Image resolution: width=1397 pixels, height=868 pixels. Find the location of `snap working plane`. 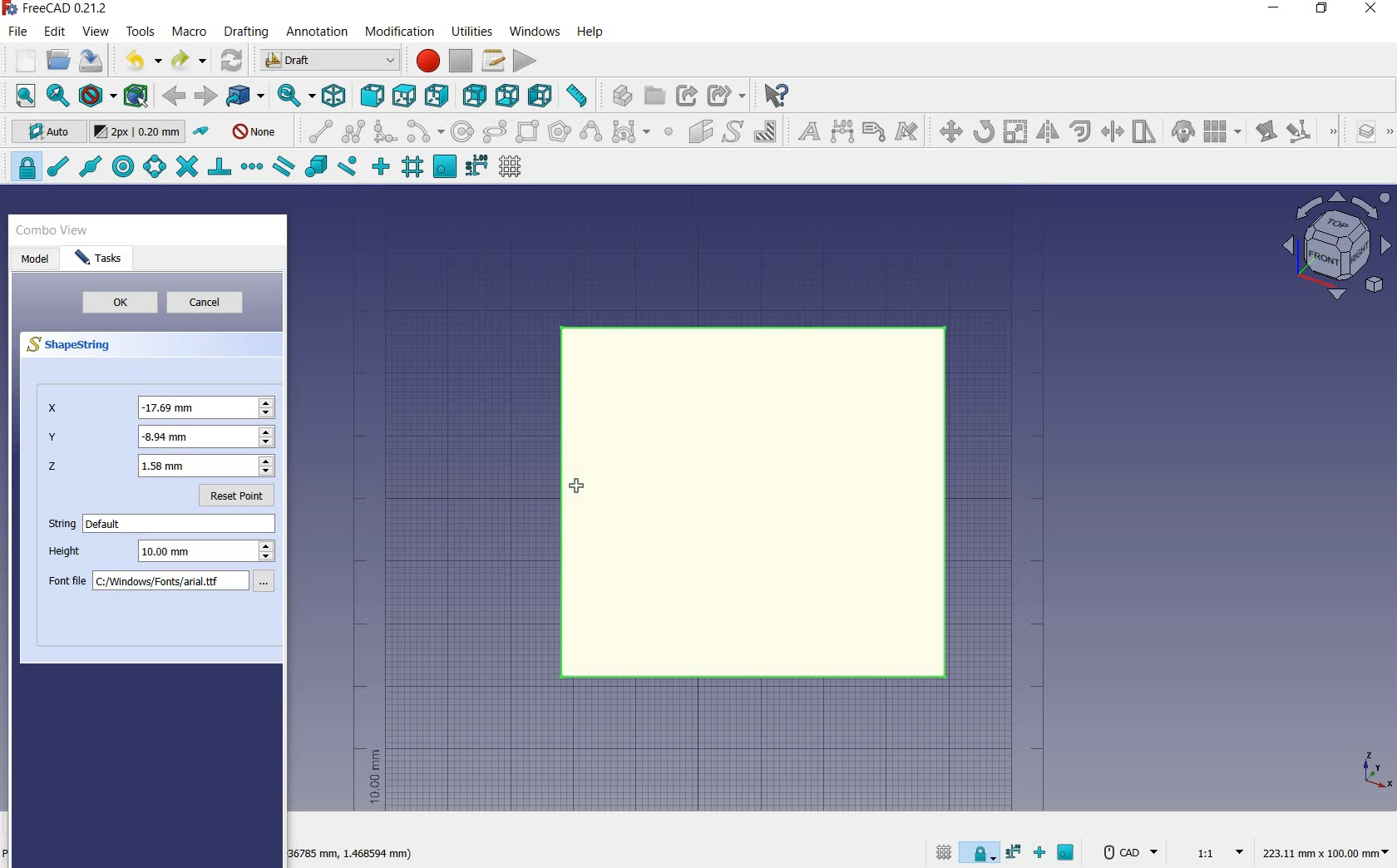

snap working plane is located at coordinates (1068, 855).